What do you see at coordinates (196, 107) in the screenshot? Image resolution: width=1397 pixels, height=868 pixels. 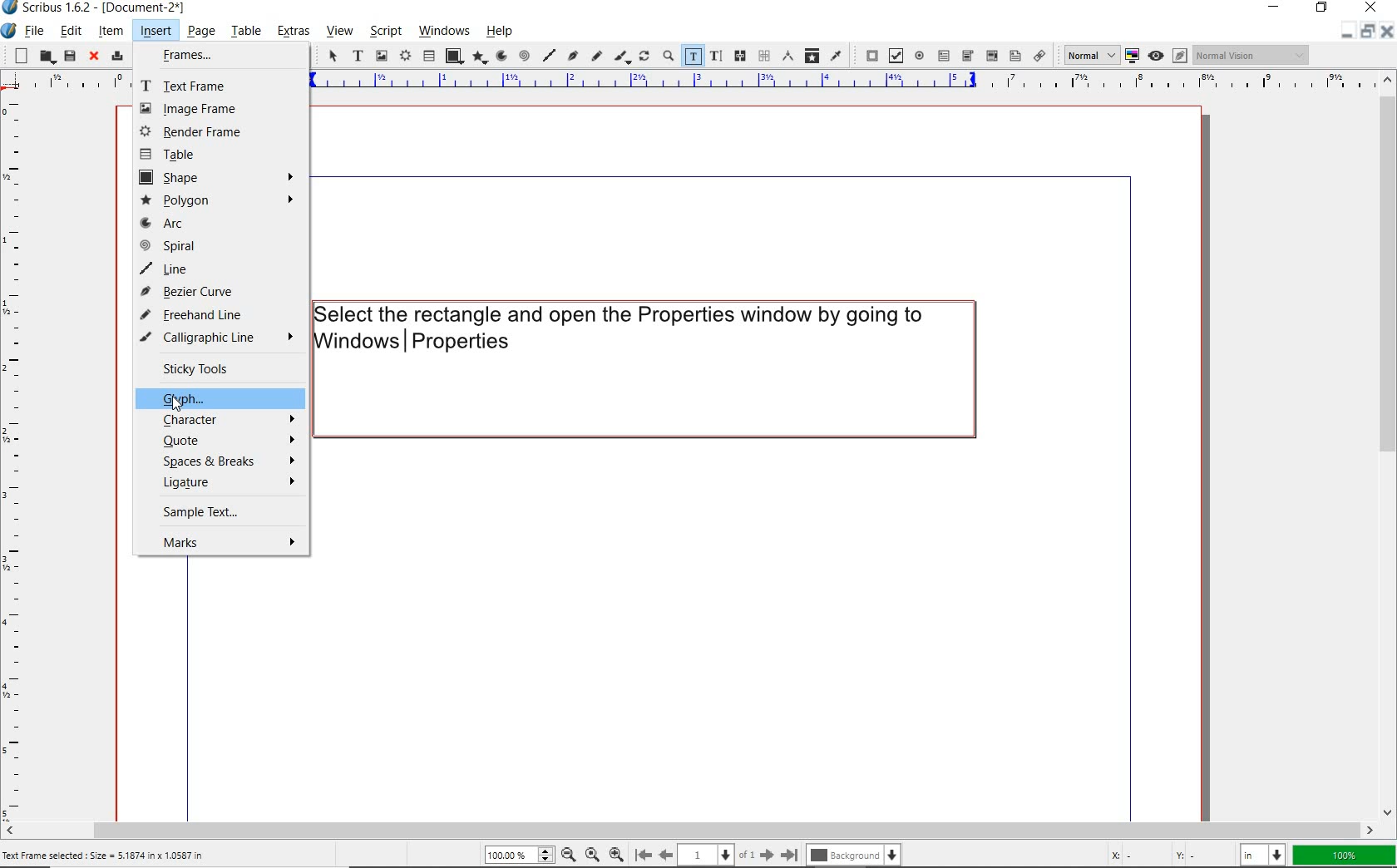 I see `image` at bounding box center [196, 107].